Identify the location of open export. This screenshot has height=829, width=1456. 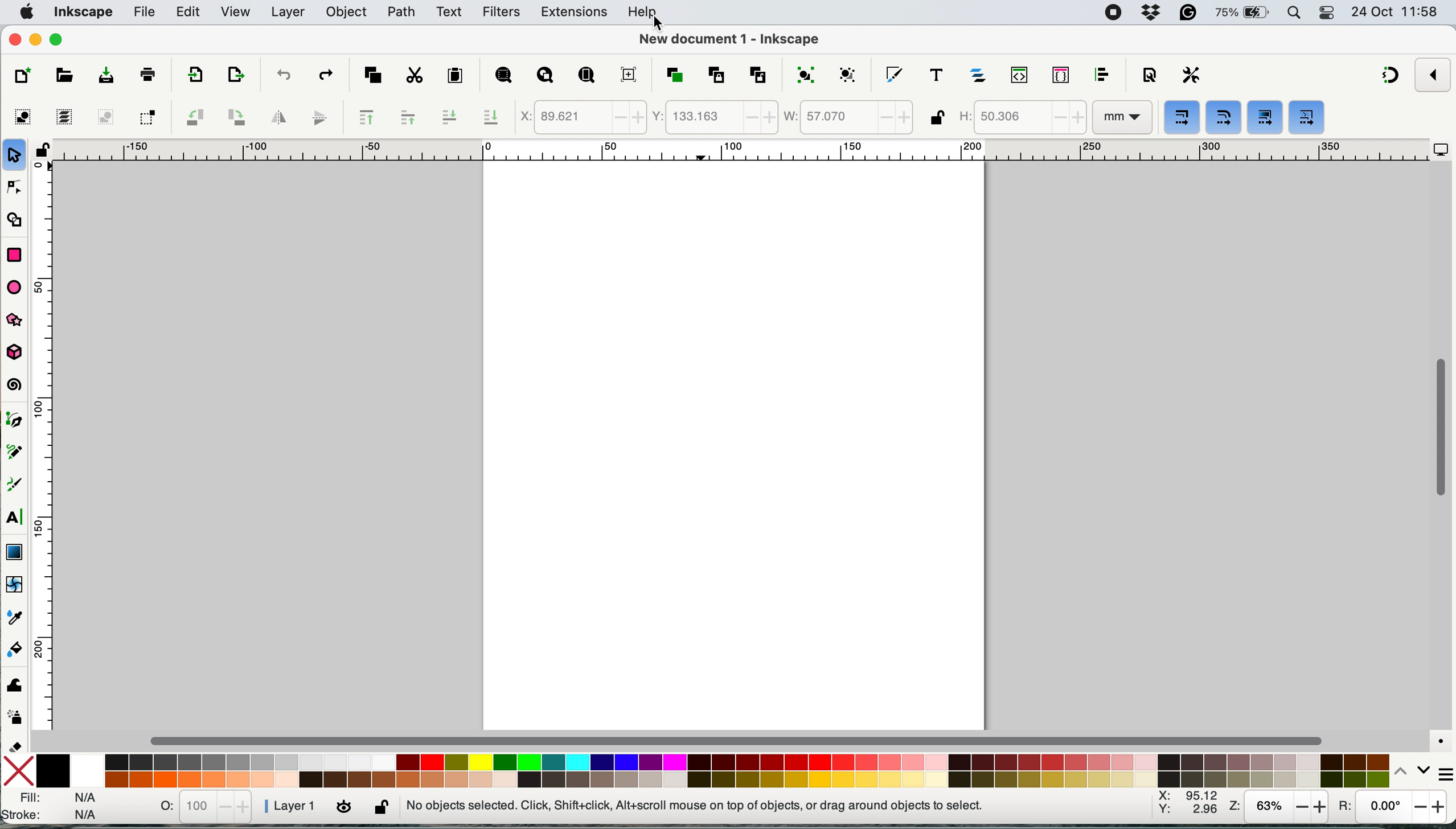
(236, 76).